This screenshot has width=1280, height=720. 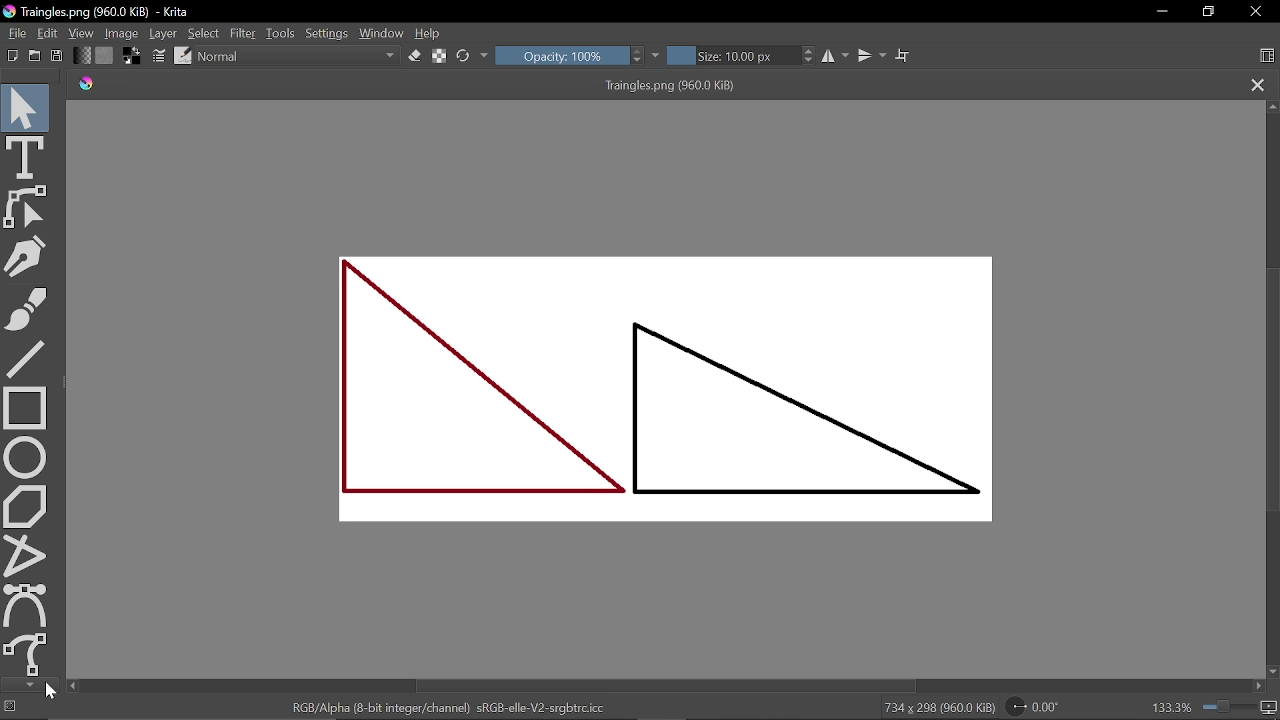 I want to click on cursor, so click(x=52, y=694).